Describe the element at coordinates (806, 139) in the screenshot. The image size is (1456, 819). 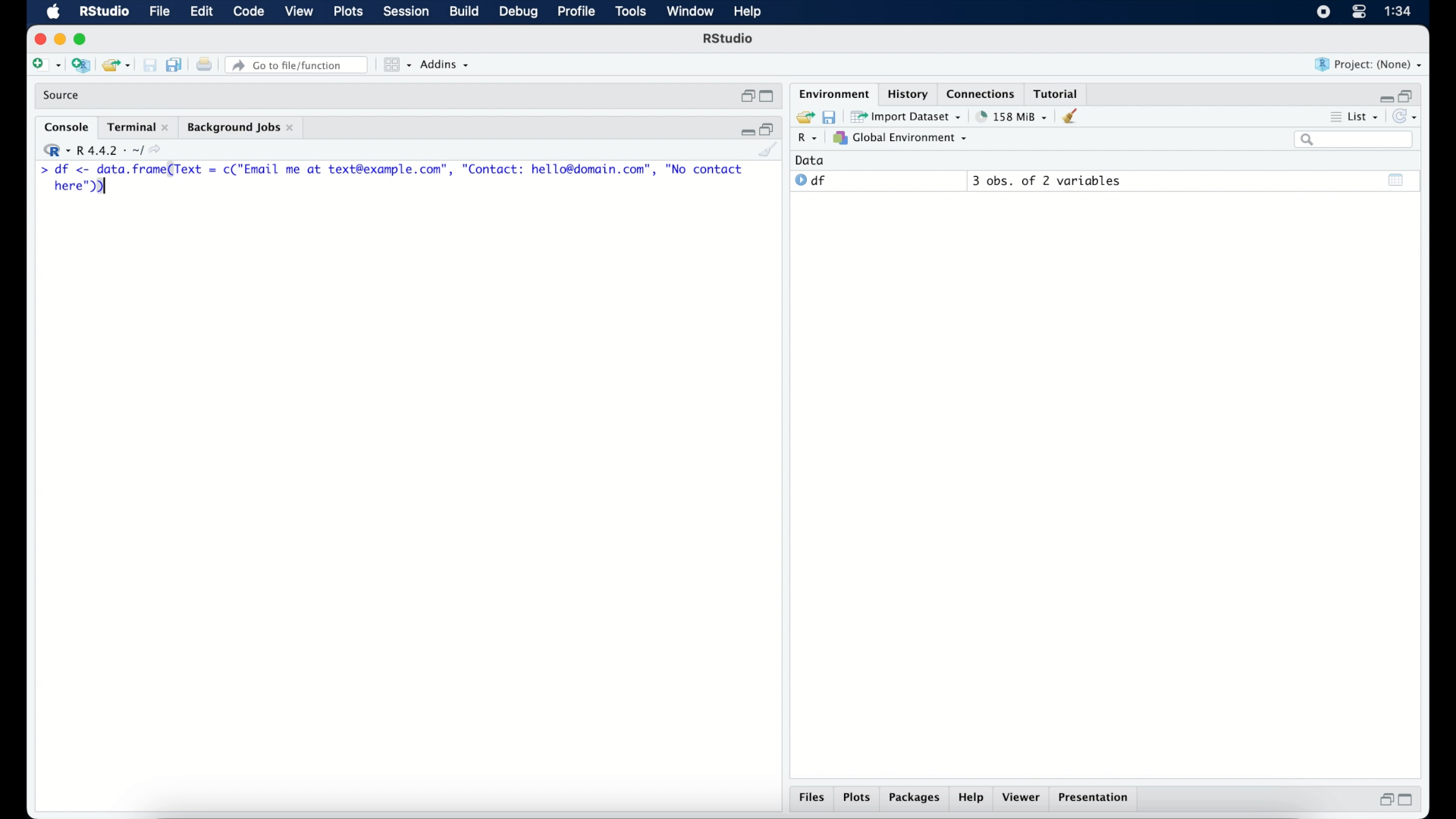
I see `R` at that location.